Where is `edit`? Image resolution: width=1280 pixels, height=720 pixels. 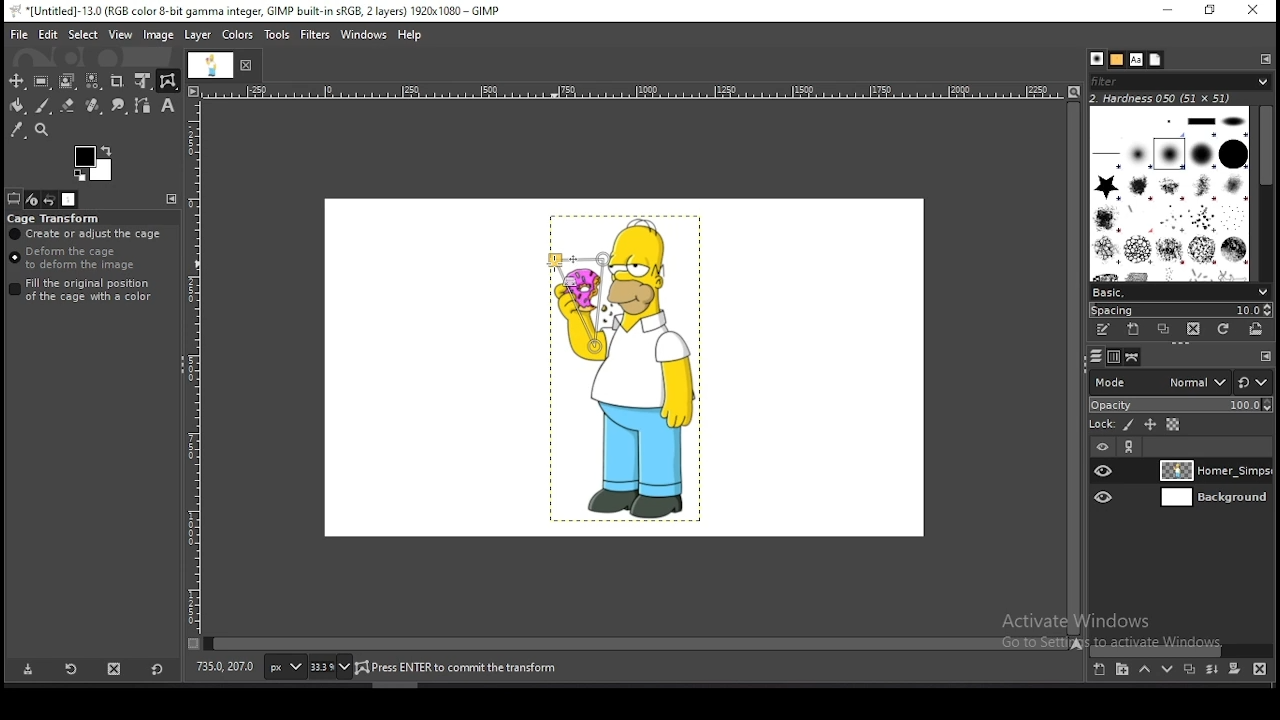 edit is located at coordinates (48, 35).